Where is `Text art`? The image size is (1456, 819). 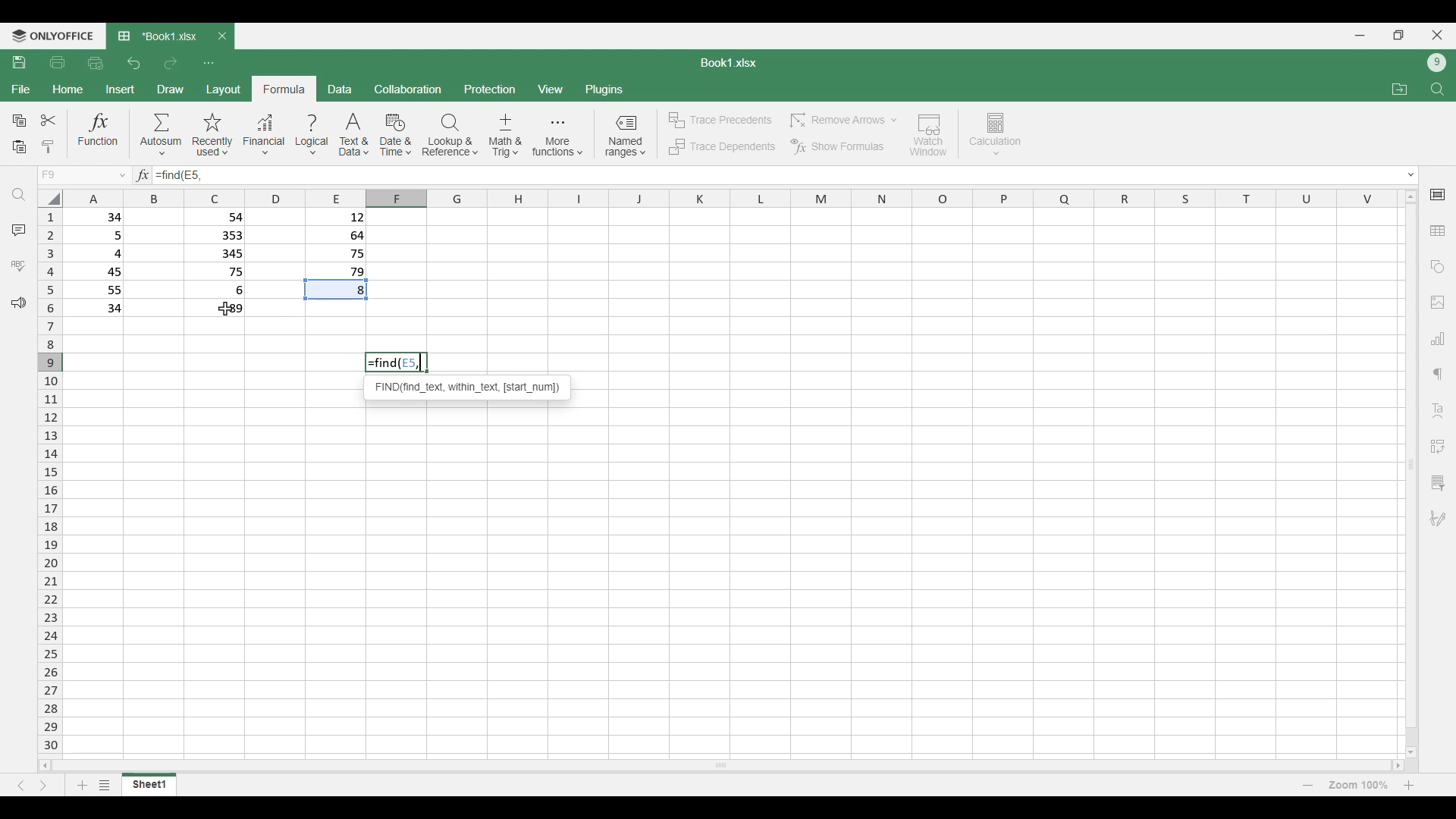 Text art is located at coordinates (1437, 411).